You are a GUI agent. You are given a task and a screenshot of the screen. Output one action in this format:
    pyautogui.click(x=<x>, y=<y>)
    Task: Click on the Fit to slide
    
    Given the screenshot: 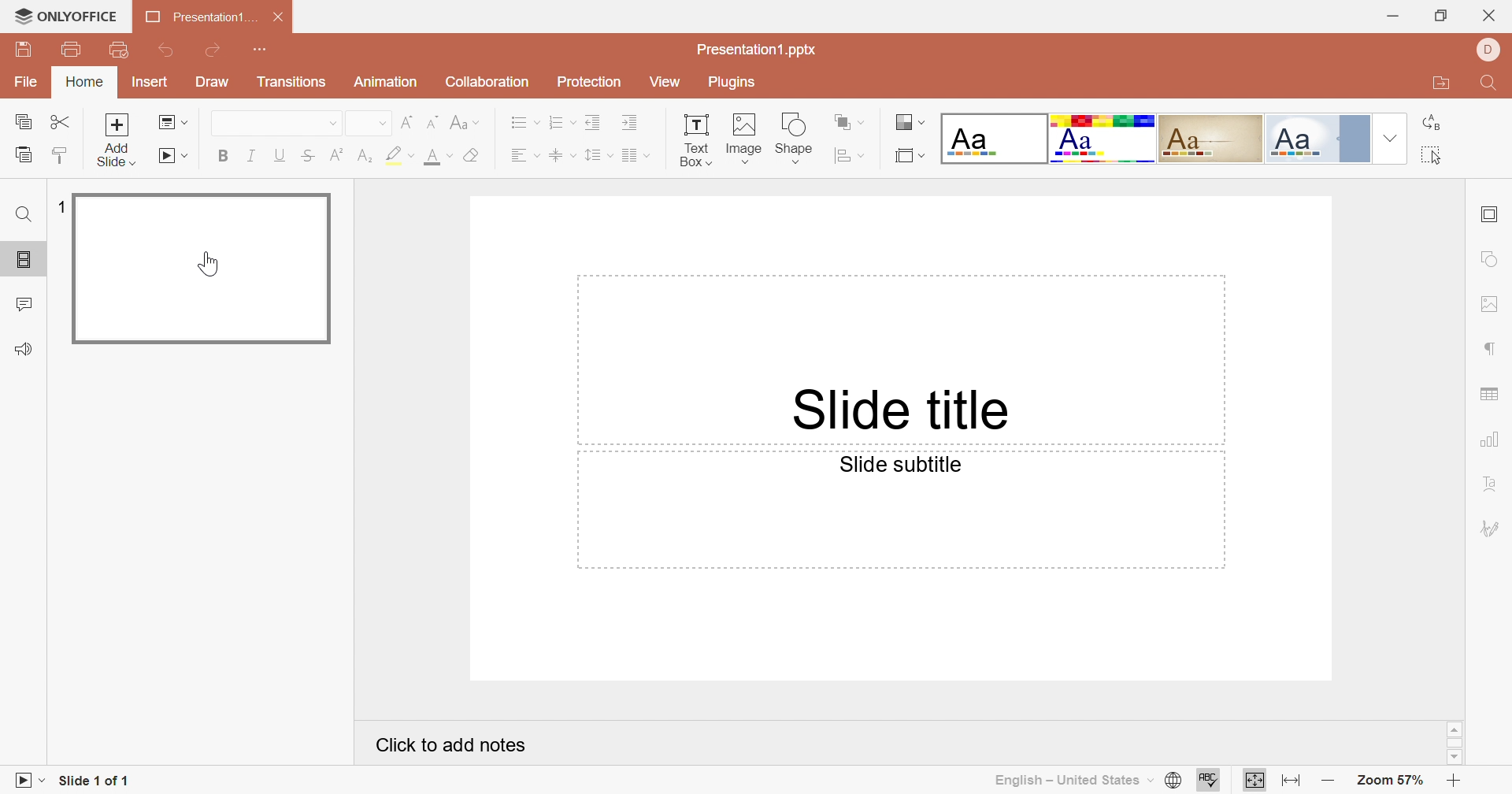 What is the action you would take?
    pyautogui.click(x=1292, y=785)
    